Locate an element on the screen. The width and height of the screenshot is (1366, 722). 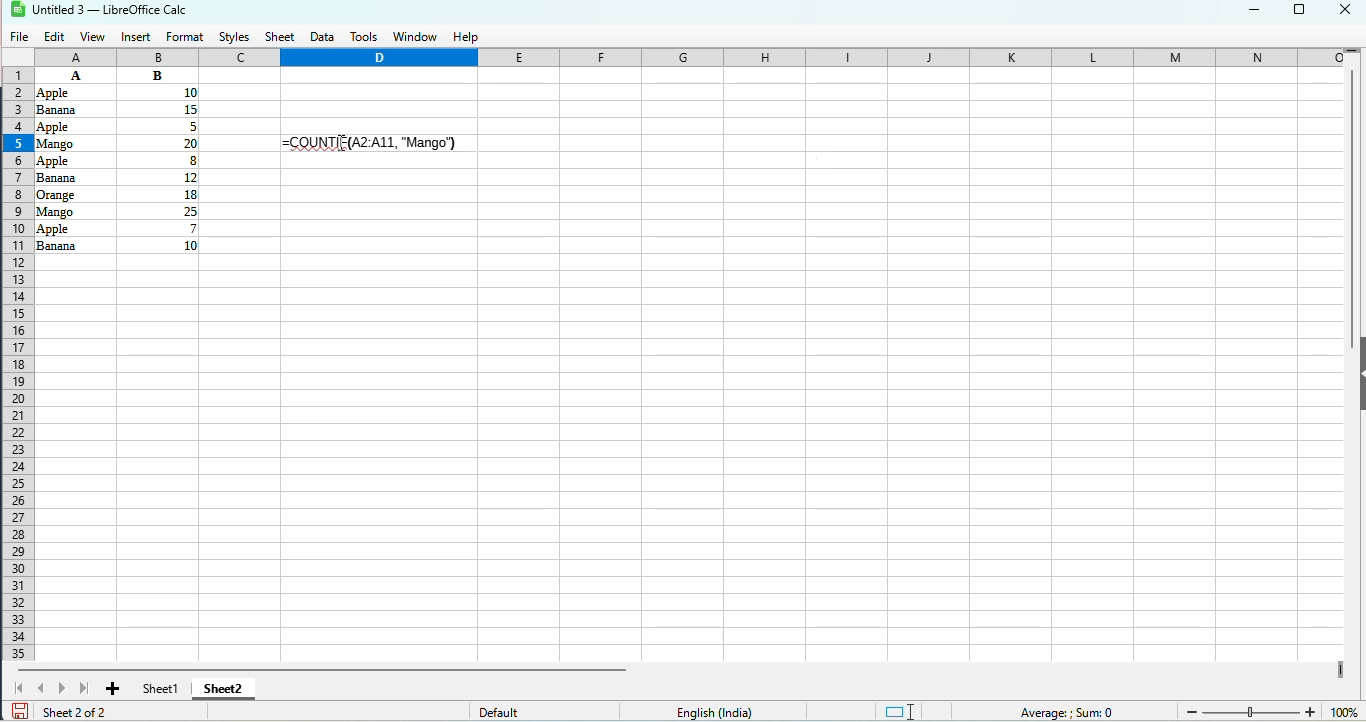
sheet2 is located at coordinates (224, 688).